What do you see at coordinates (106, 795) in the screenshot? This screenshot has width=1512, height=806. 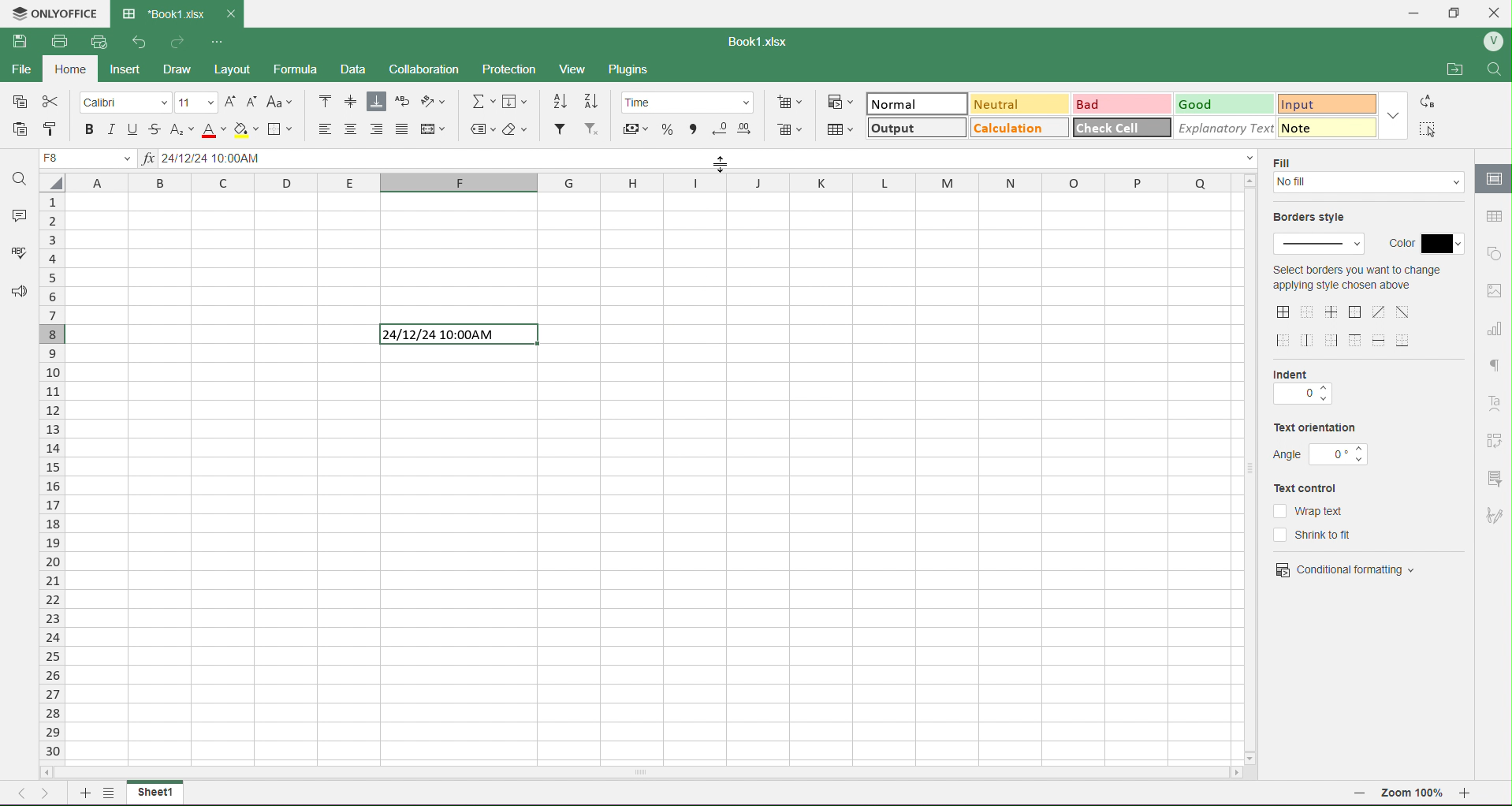 I see `Options` at bounding box center [106, 795].